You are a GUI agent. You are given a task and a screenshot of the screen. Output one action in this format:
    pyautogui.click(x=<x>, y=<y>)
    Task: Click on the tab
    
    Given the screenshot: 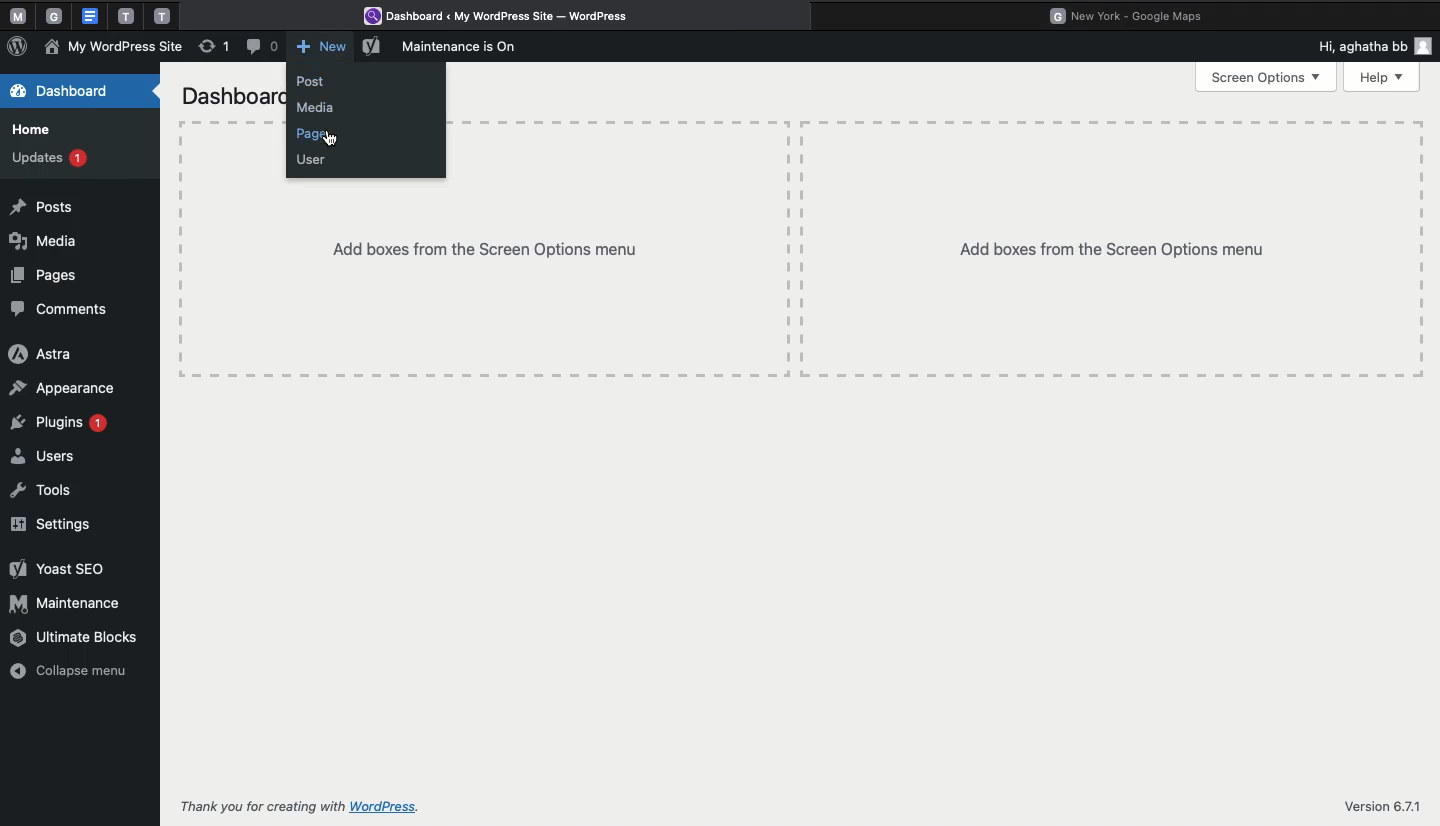 What is the action you would take?
    pyautogui.click(x=57, y=16)
    